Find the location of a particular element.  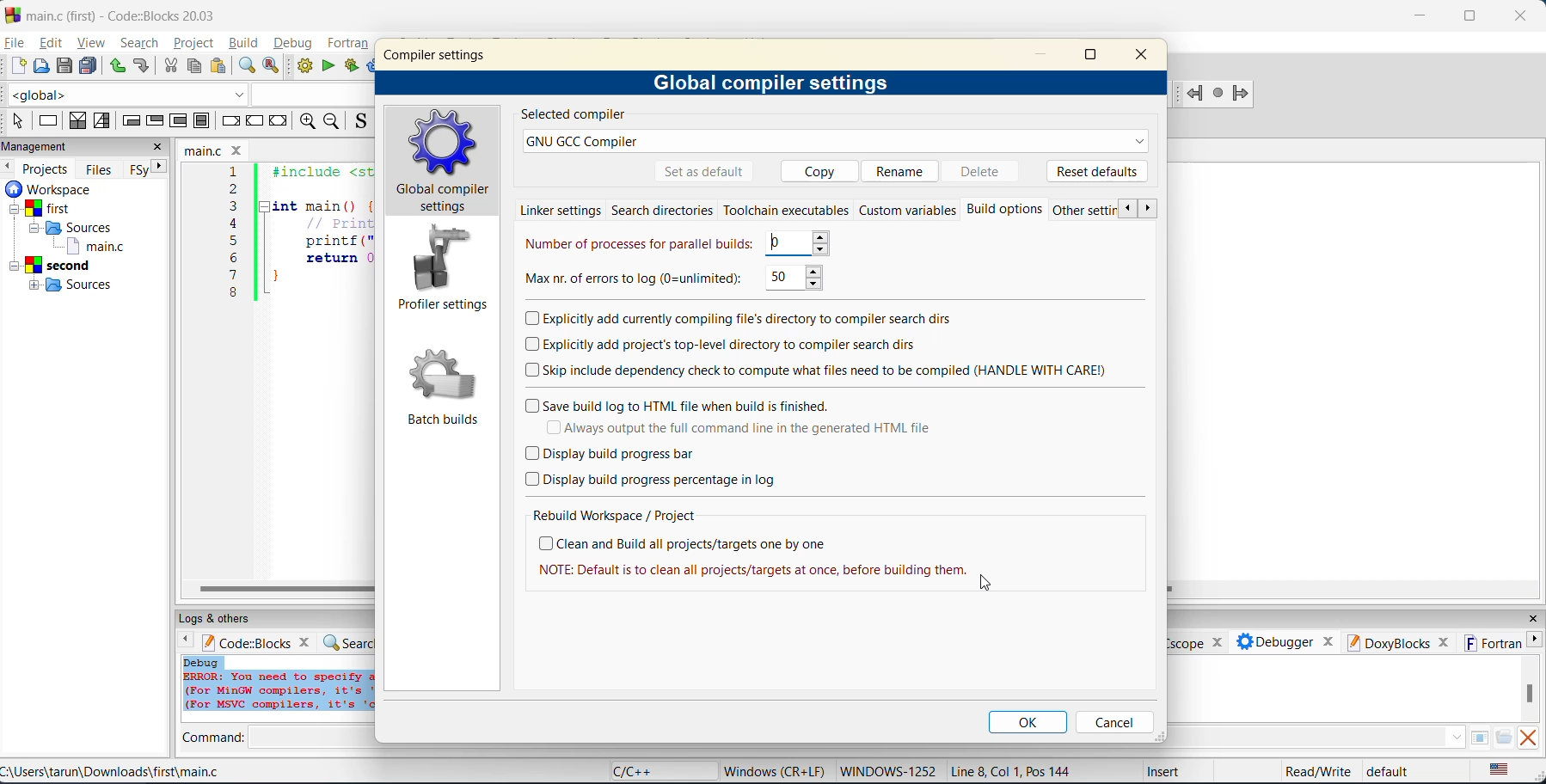

Read/Write is located at coordinates (1316, 770).